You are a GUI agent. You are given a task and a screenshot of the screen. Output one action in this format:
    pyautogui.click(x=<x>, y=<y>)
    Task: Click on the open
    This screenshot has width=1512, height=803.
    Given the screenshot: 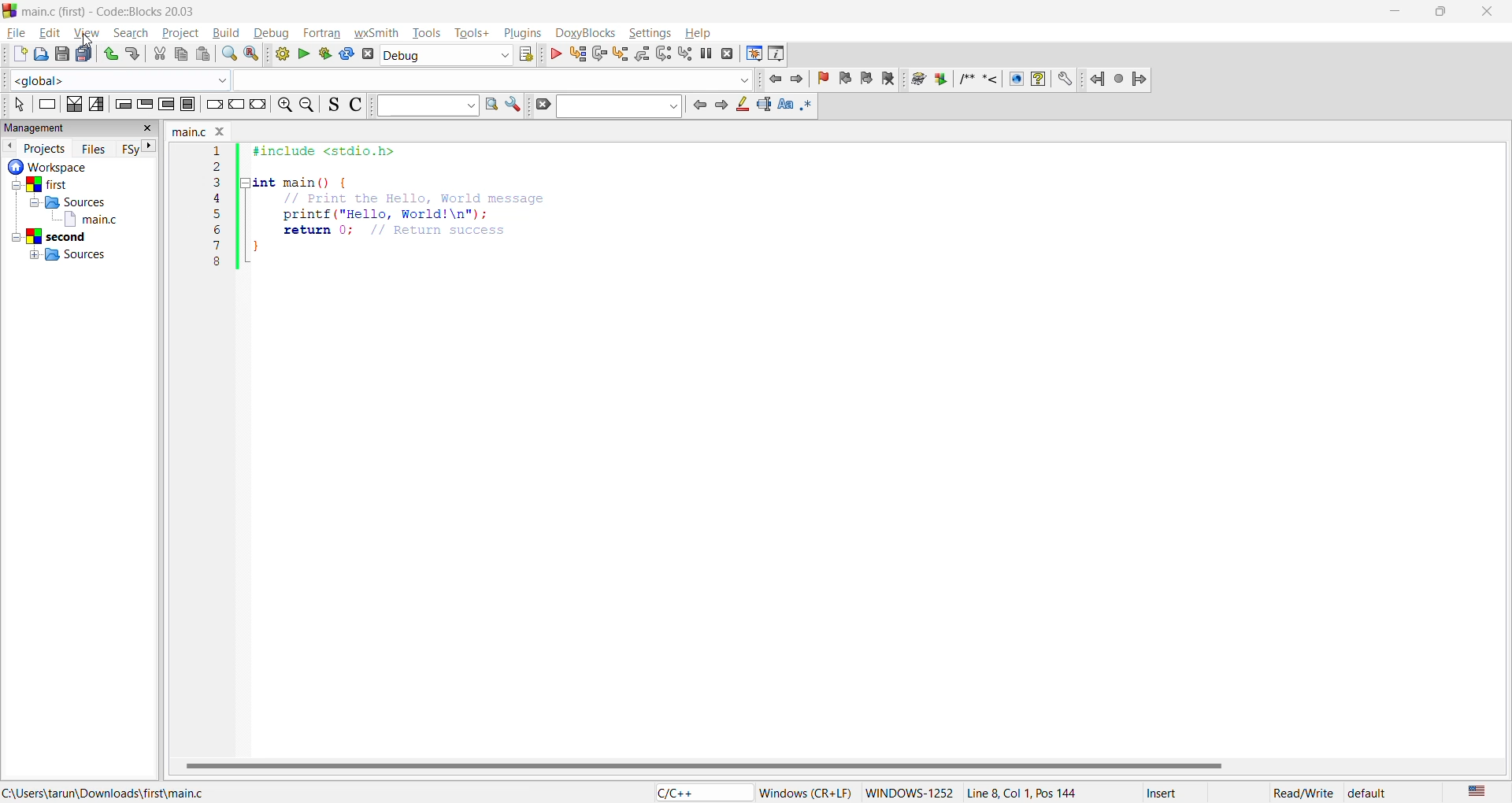 What is the action you would take?
    pyautogui.click(x=40, y=54)
    